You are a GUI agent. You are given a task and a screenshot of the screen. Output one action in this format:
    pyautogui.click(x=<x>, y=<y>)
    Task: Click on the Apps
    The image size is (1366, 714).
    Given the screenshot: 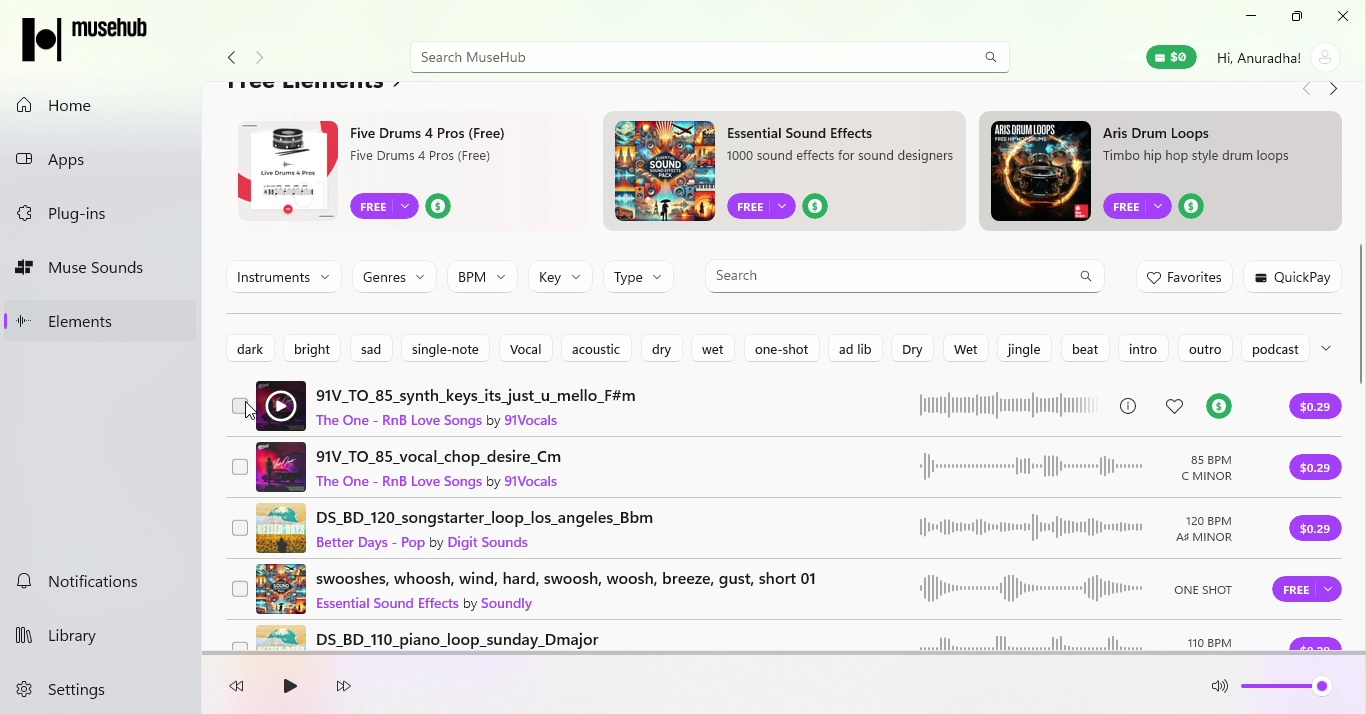 What is the action you would take?
    pyautogui.click(x=103, y=156)
    